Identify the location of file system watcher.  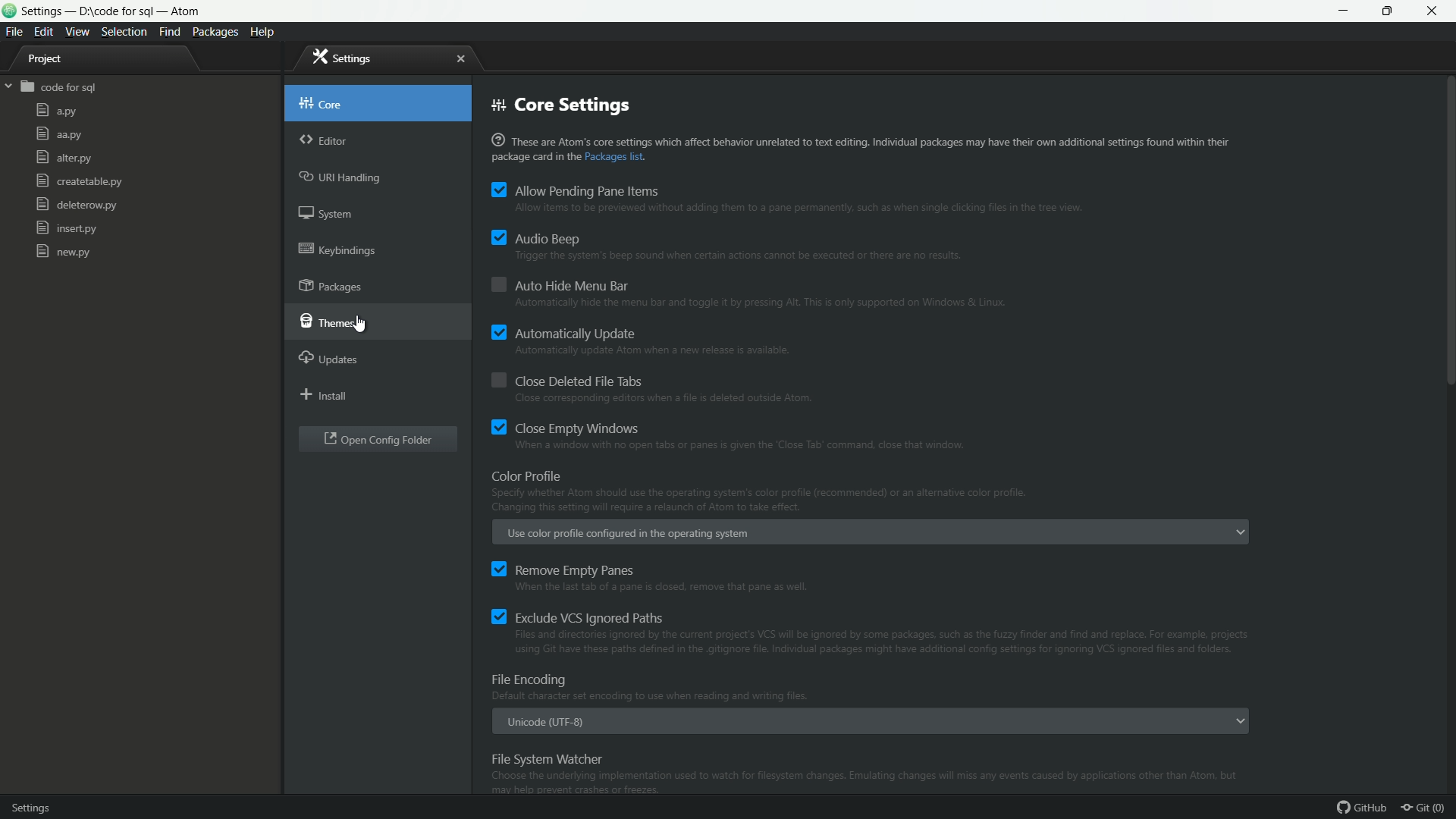
(547, 758).